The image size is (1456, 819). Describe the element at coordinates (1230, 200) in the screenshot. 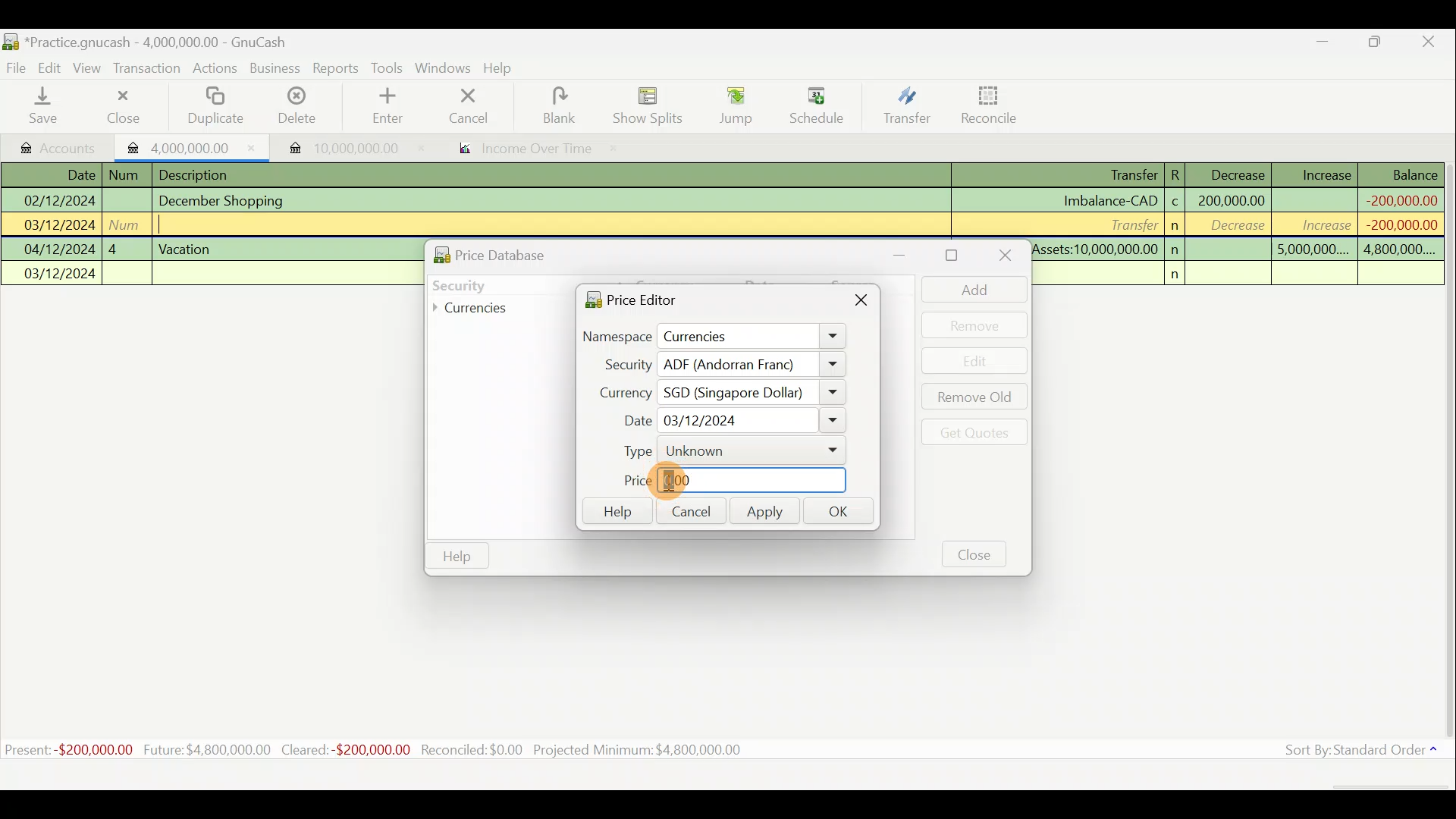

I see `200,000,000` at that location.